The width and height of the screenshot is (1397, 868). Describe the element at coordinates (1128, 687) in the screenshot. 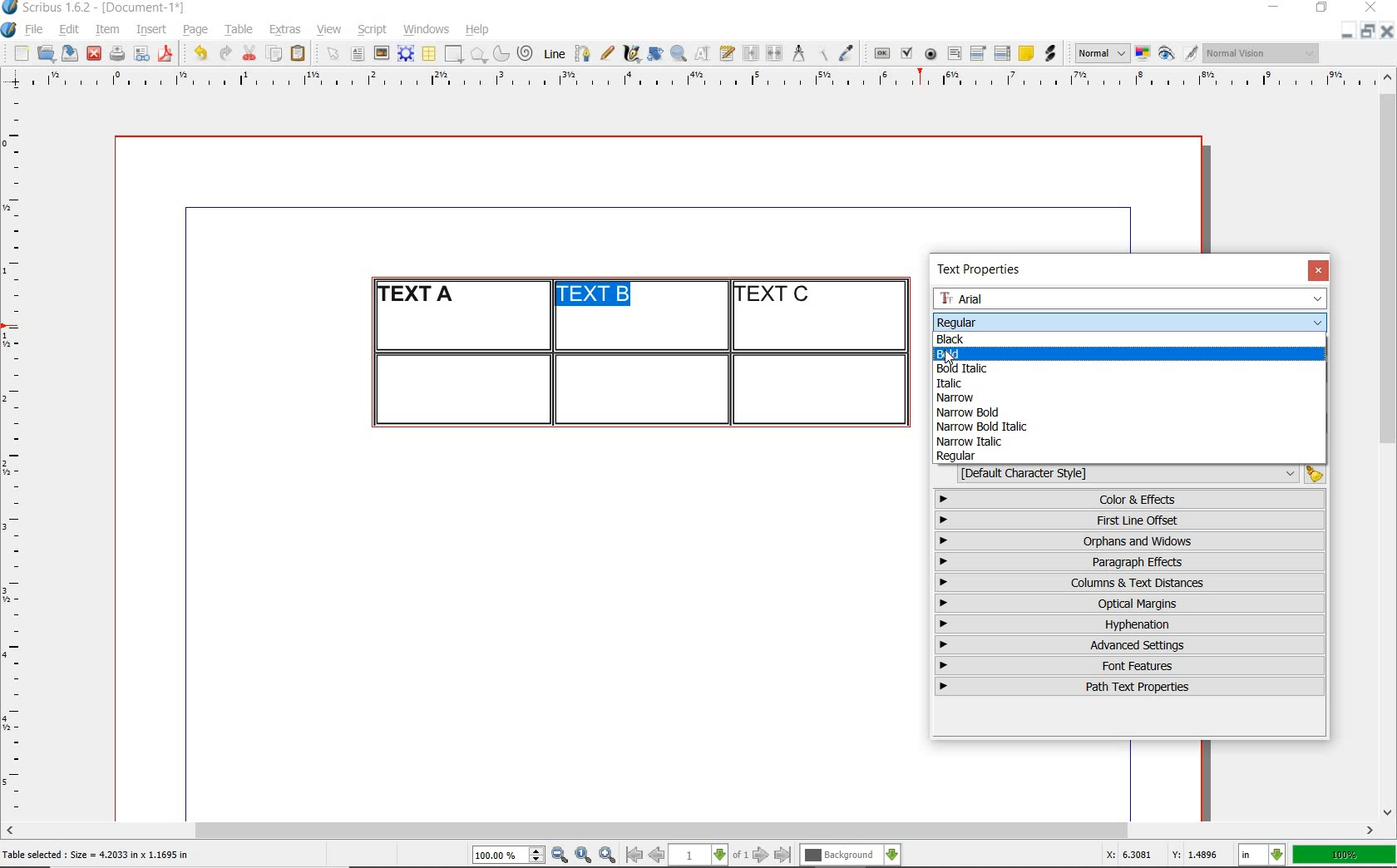

I see `path text properties` at that location.